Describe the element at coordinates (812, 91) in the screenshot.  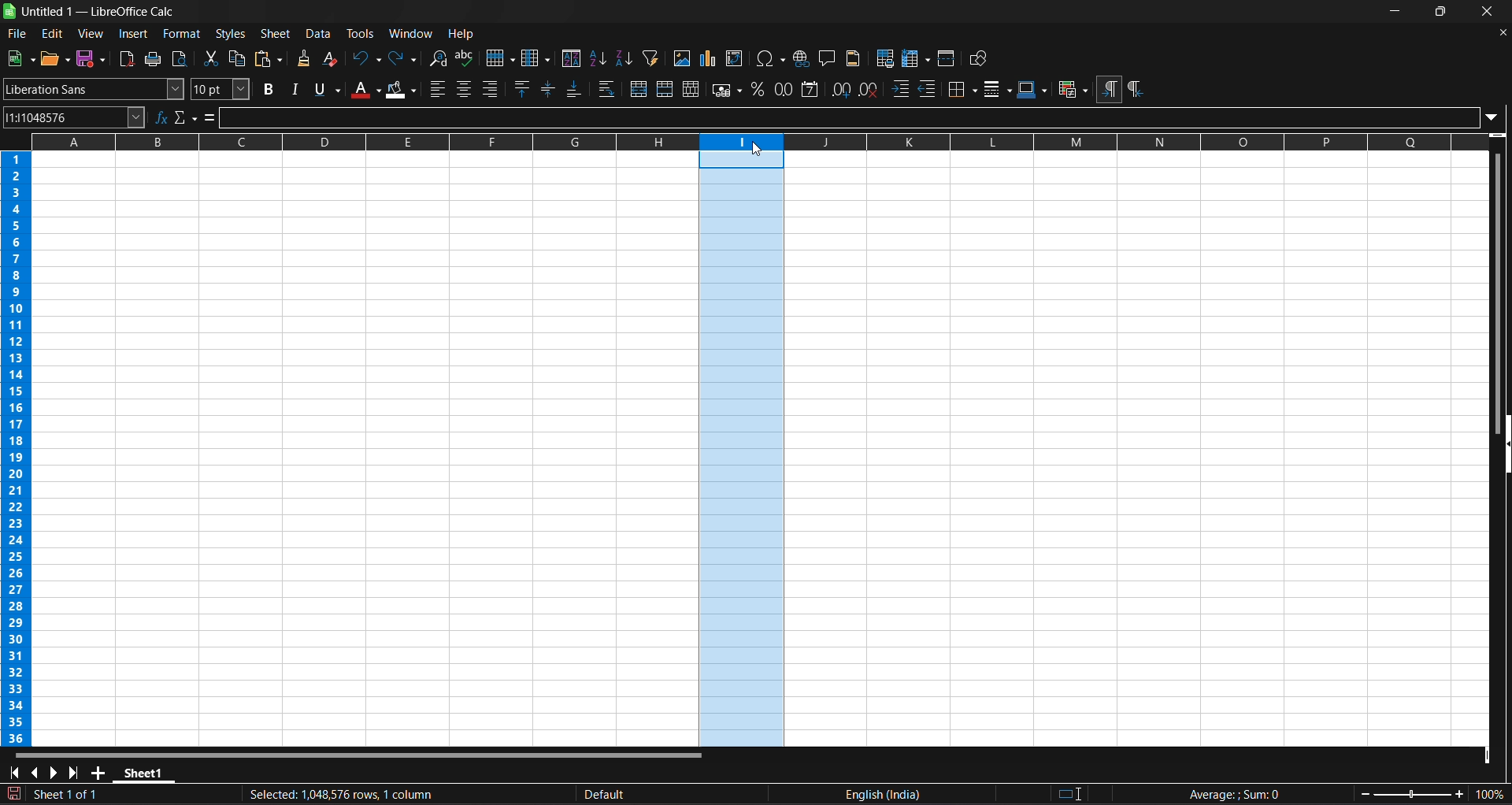
I see `format as date` at that location.